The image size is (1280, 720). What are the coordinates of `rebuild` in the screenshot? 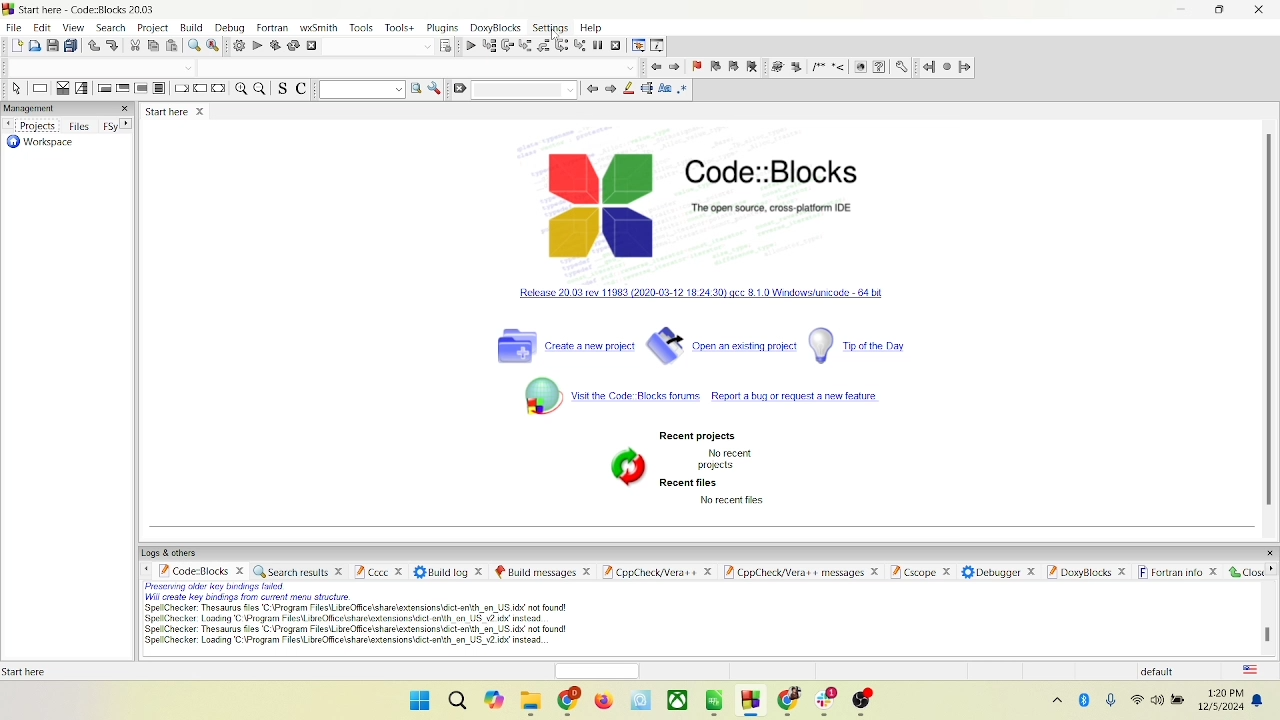 It's located at (295, 48).